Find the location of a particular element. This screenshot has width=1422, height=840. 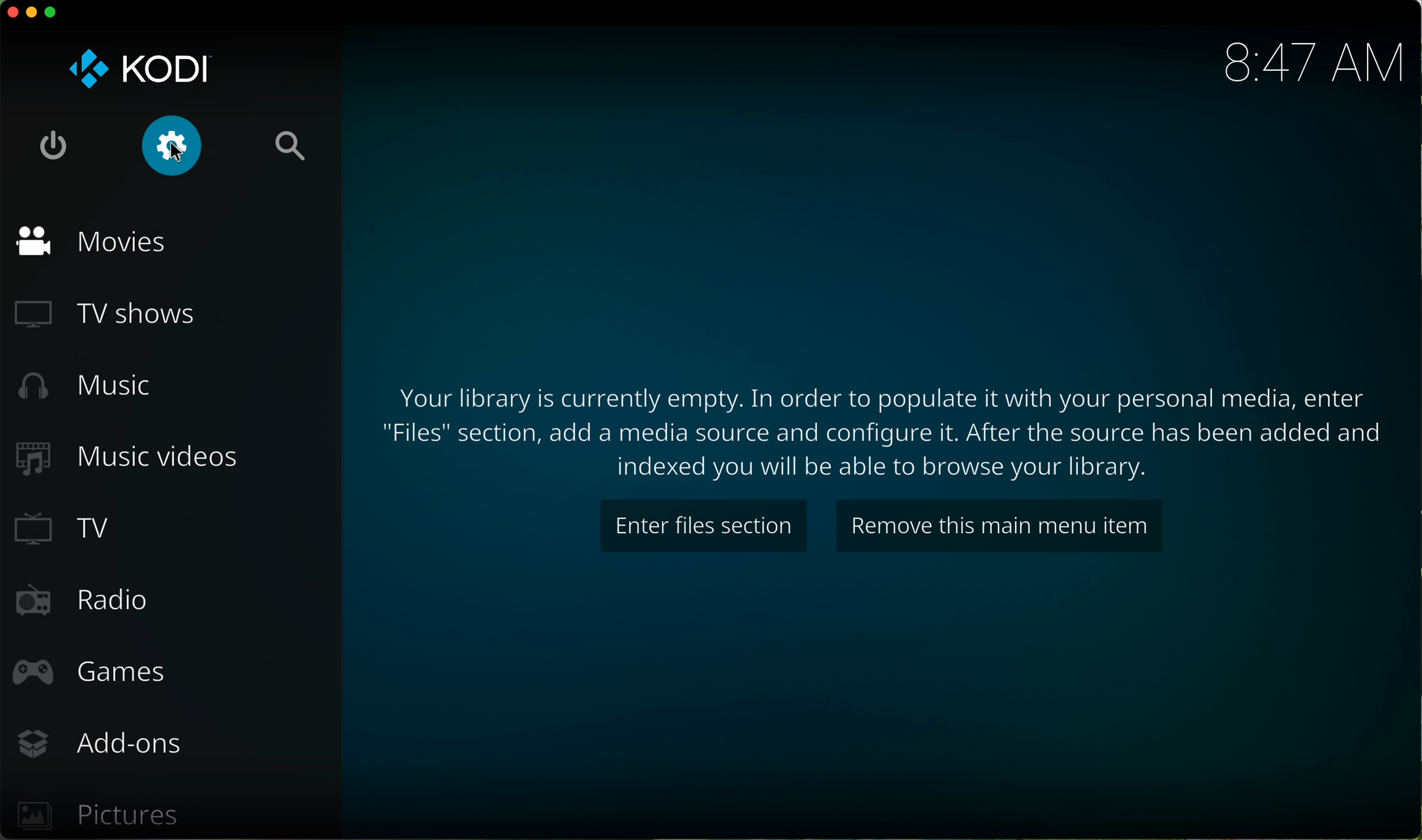

music is located at coordinates (91, 388).